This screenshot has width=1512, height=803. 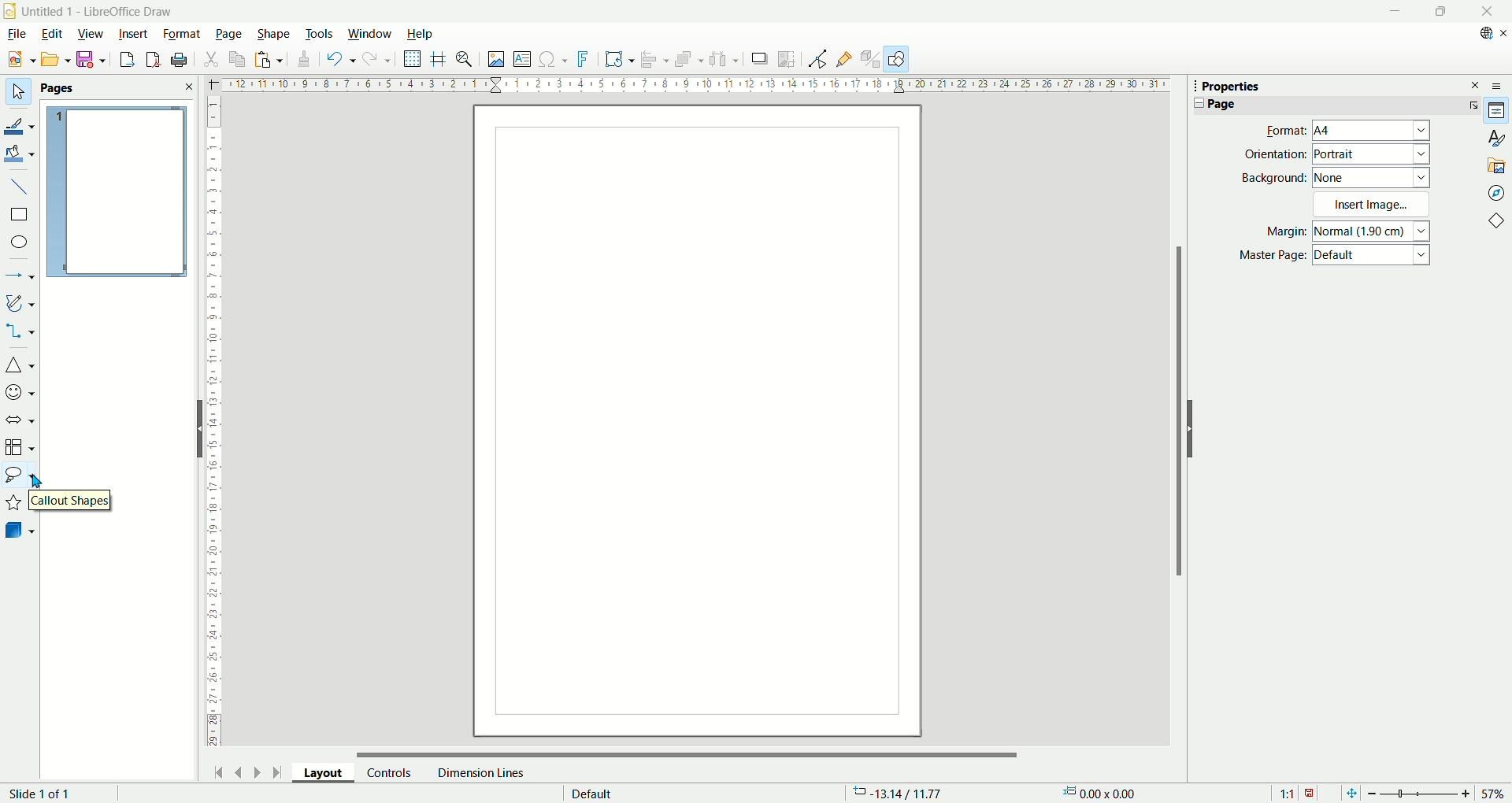 I want to click on Portrait, so click(x=1372, y=154).